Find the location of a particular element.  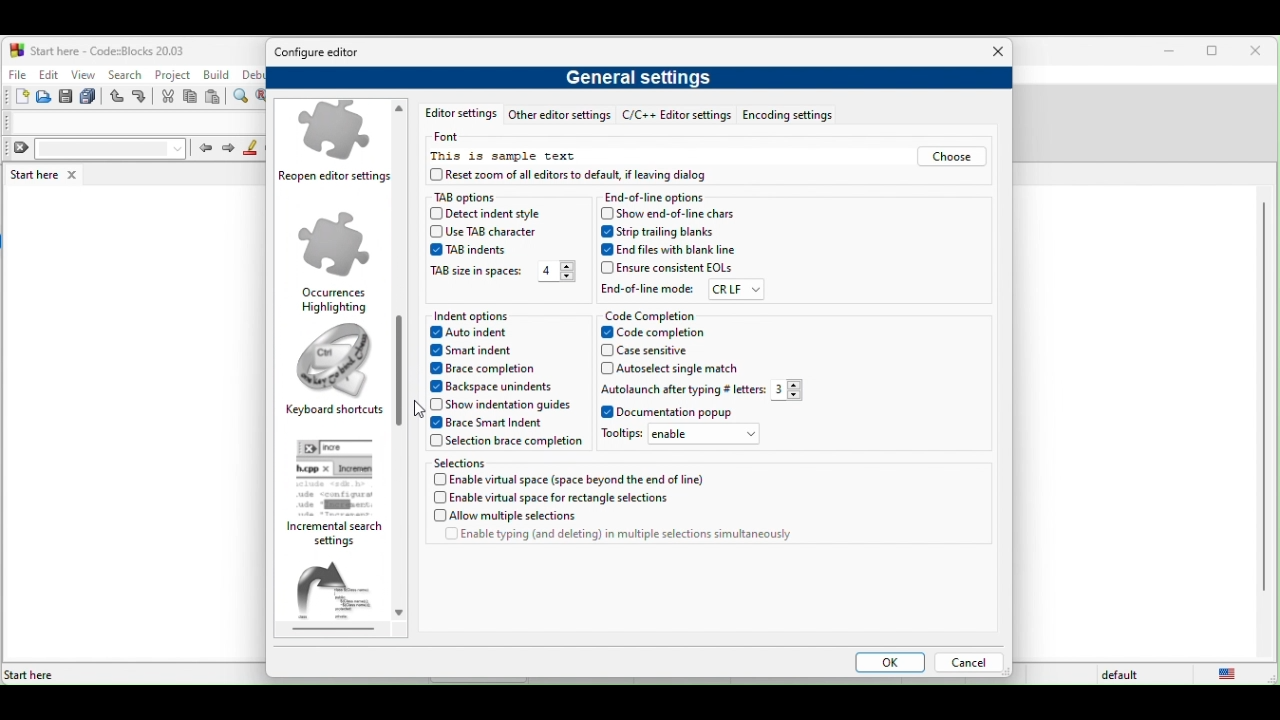

configure editor is located at coordinates (323, 53).